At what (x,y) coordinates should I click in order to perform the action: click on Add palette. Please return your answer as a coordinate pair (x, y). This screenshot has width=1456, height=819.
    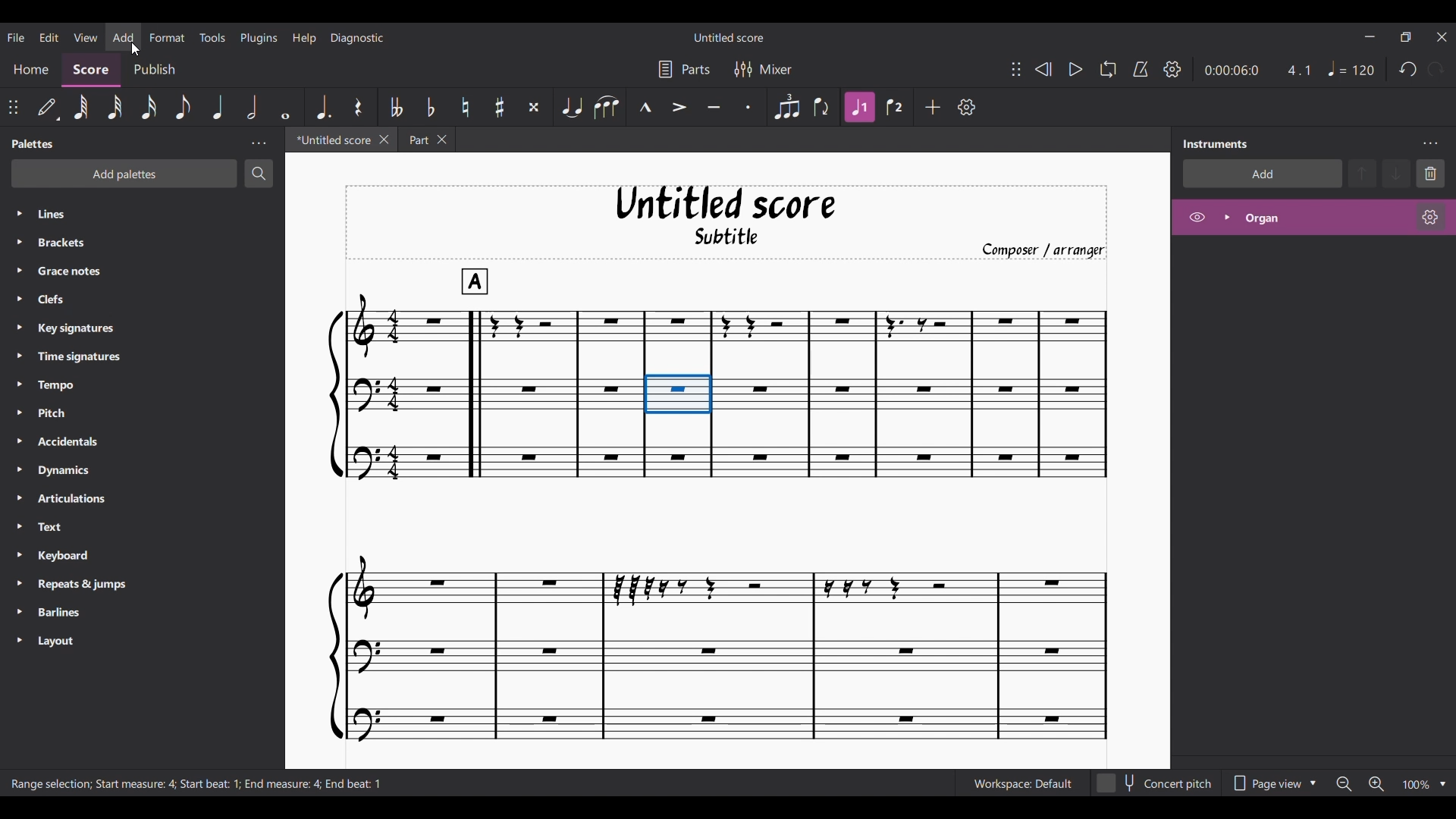
    Looking at the image, I should click on (125, 174).